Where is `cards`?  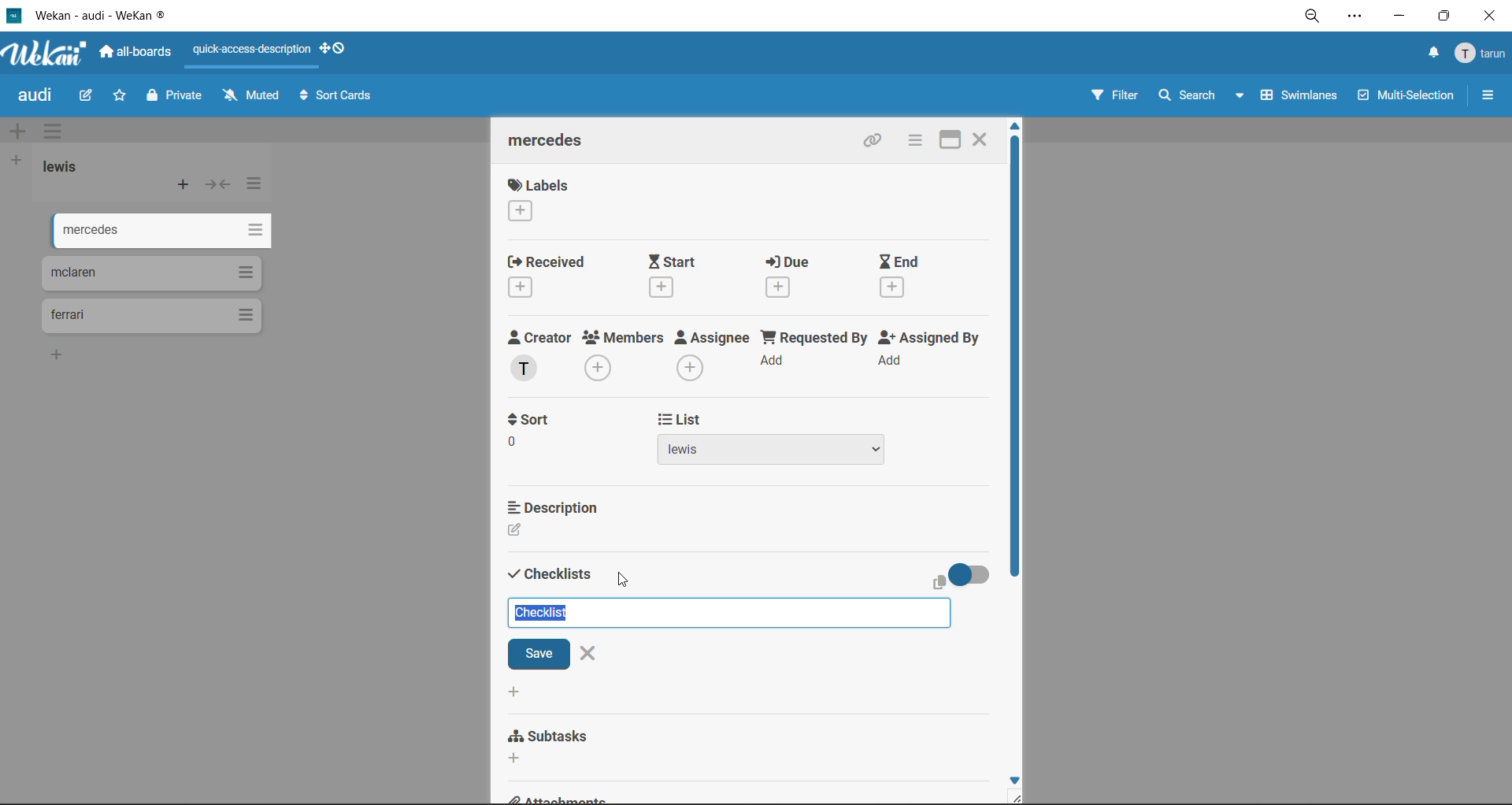 cards is located at coordinates (164, 228).